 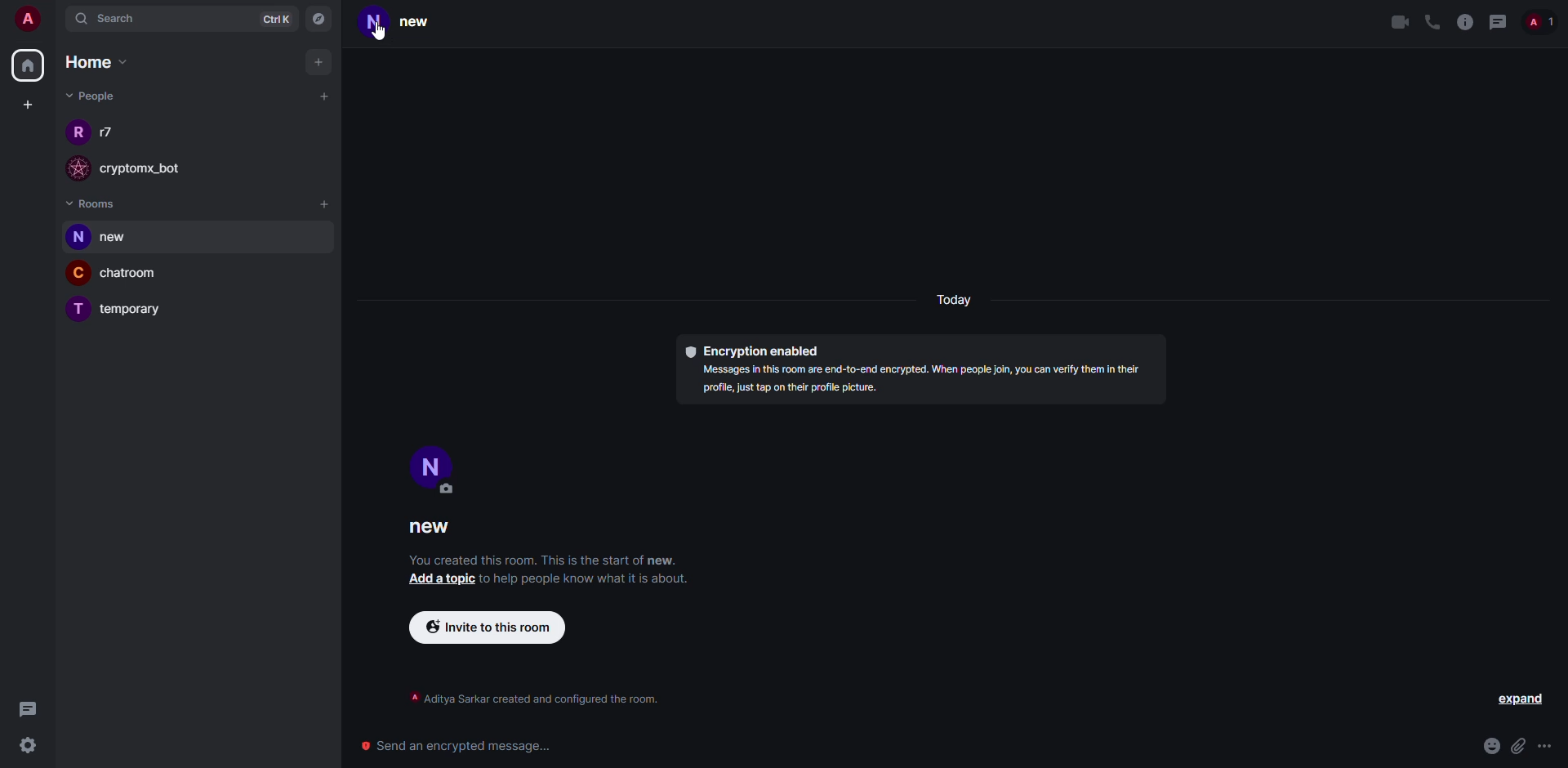 What do you see at coordinates (123, 239) in the screenshot?
I see `room` at bounding box center [123, 239].